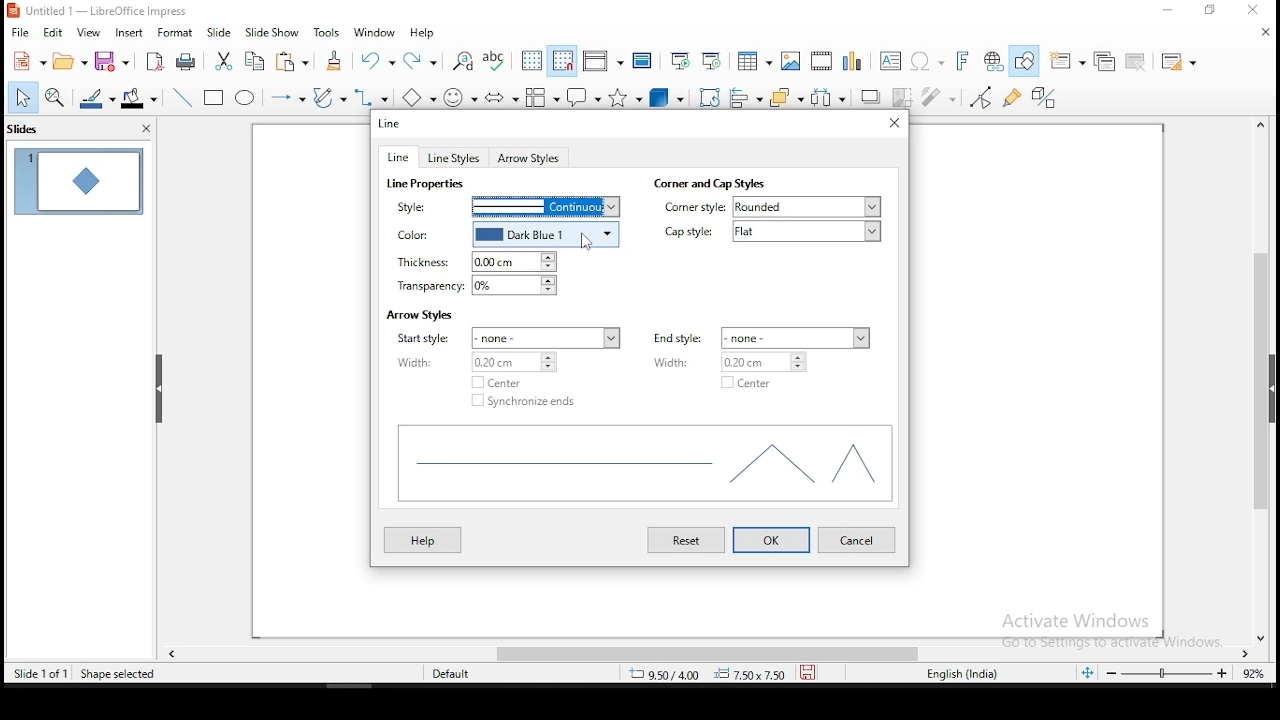  I want to click on none, so click(797, 336).